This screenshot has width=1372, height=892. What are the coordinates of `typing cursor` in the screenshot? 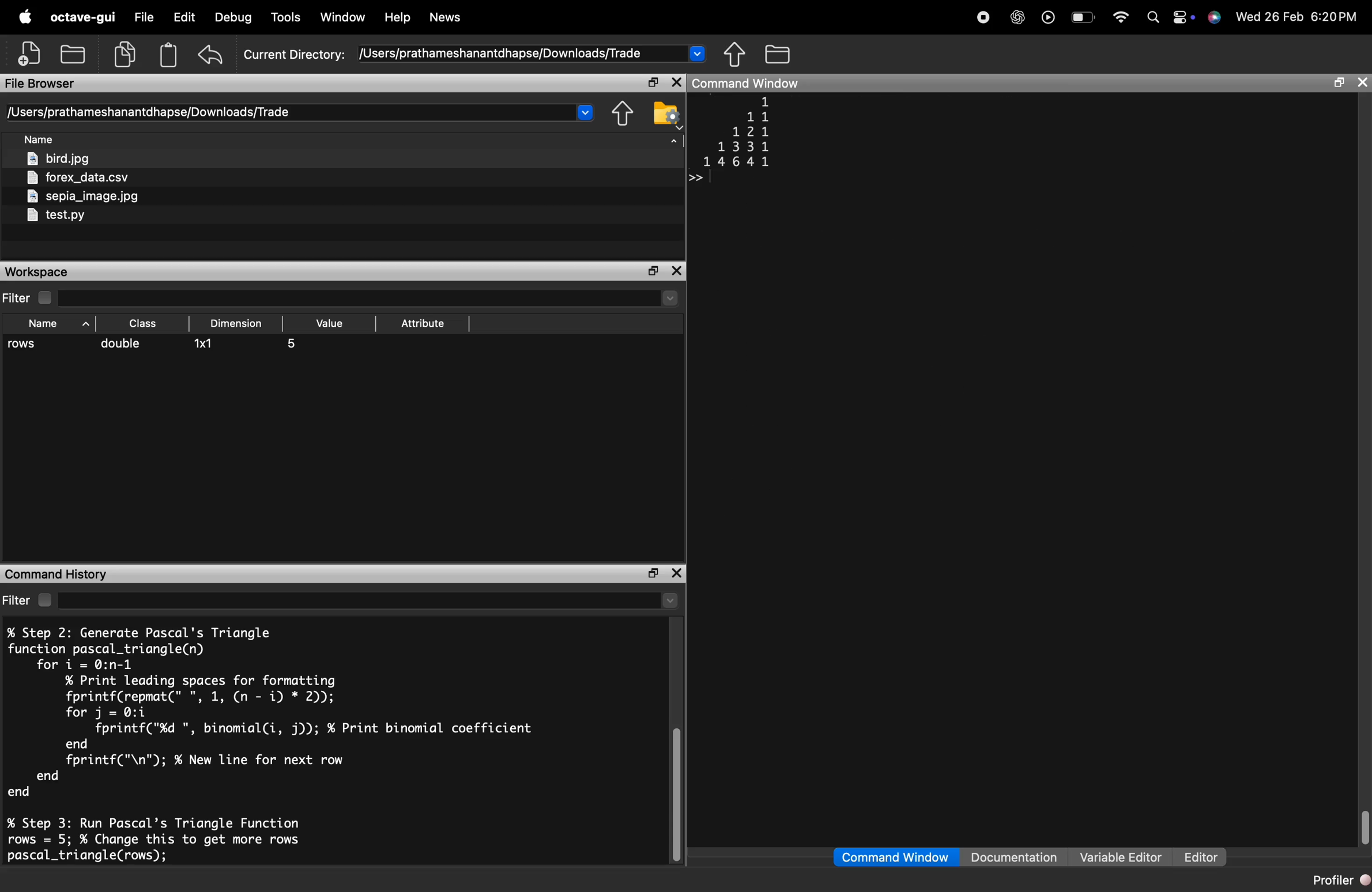 It's located at (700, 177).